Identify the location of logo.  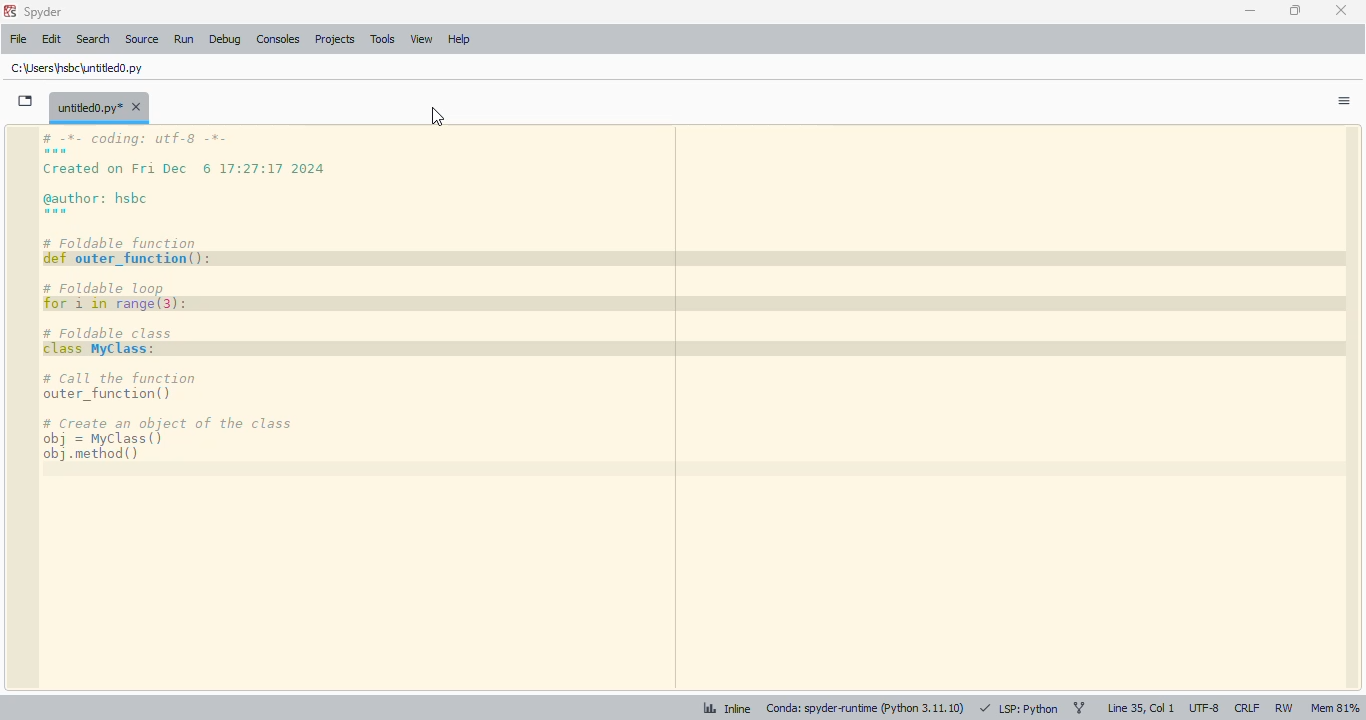
(10, 11).